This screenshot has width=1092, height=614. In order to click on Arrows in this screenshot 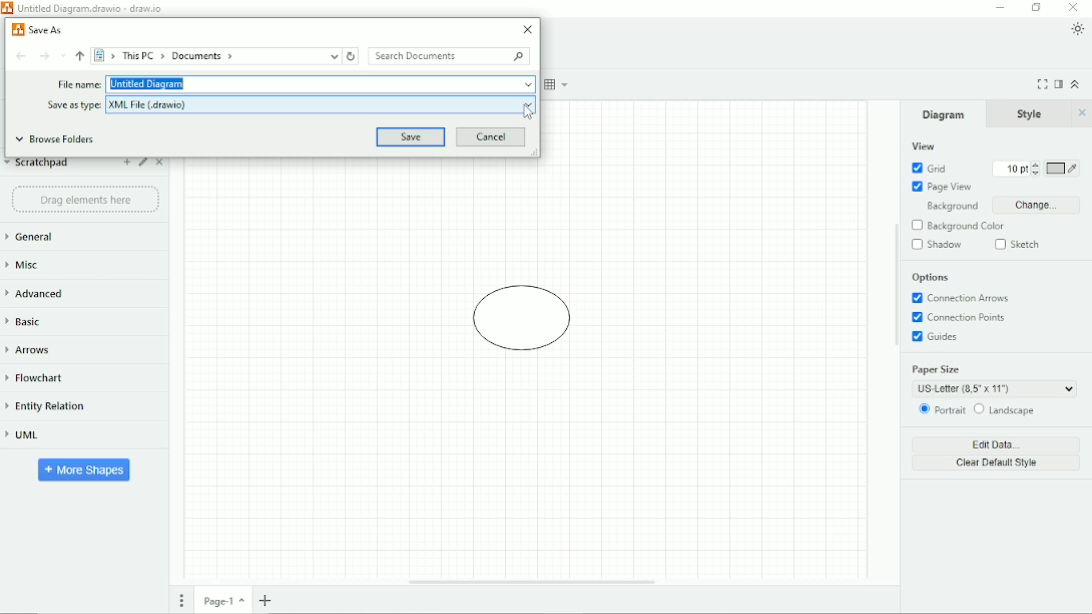, I will do `click(35, 352)`.